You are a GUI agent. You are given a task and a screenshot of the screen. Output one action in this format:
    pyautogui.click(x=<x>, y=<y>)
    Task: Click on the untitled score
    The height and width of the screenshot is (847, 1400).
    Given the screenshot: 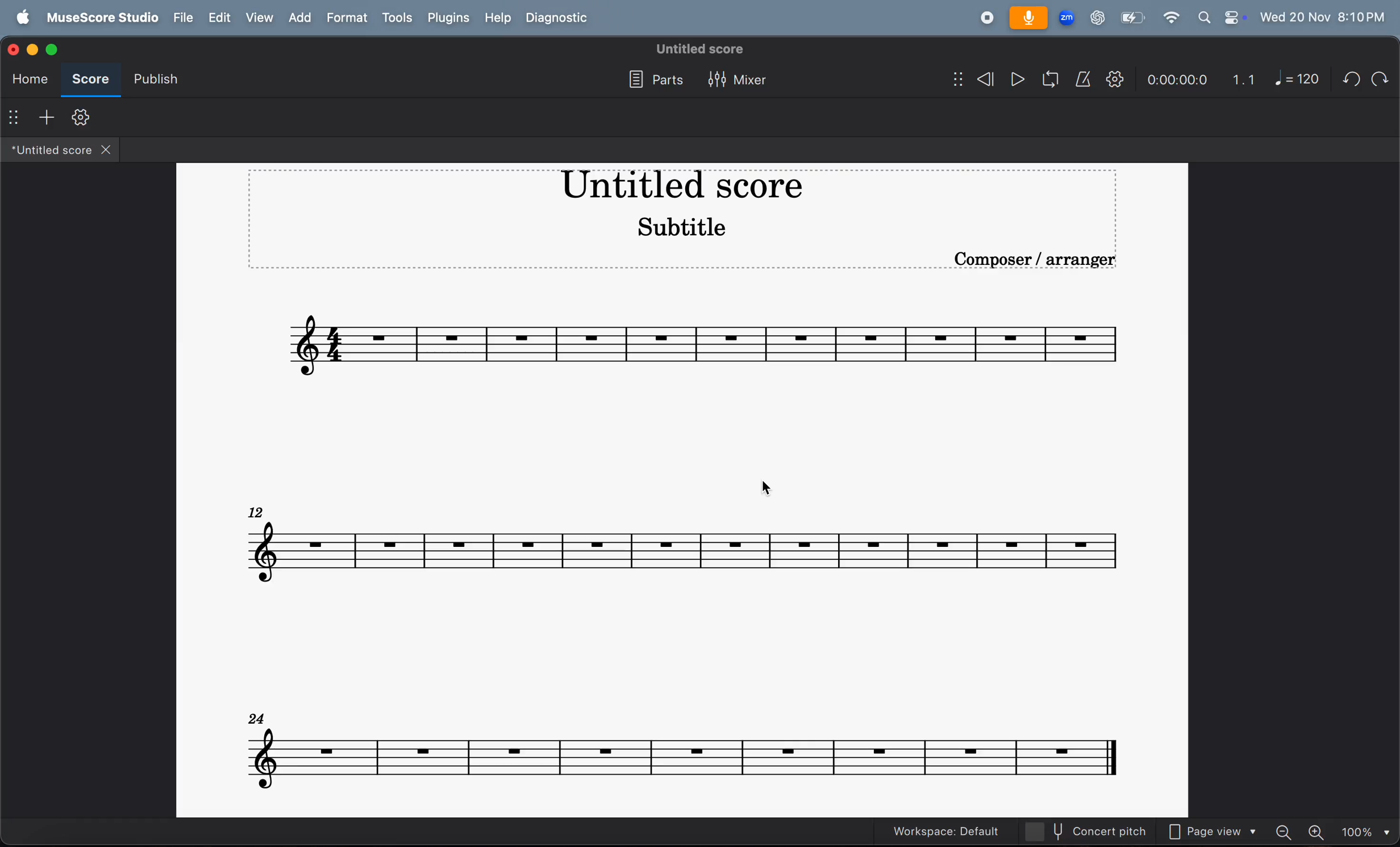 What is the action you would take?
    pyautogui.click(x=48, y=151)
    